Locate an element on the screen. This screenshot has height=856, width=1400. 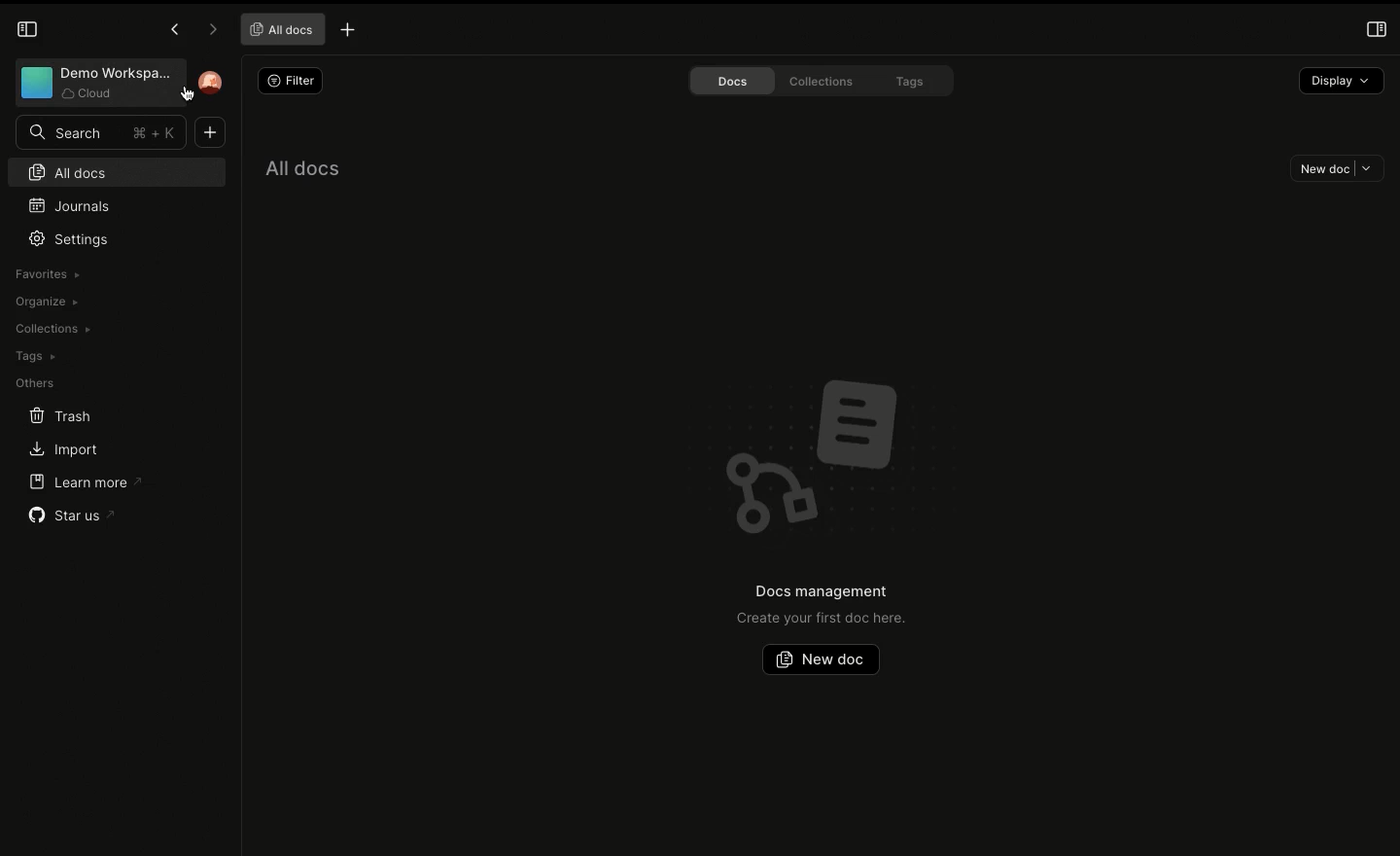
Display is located at coordinates (1340, 78).